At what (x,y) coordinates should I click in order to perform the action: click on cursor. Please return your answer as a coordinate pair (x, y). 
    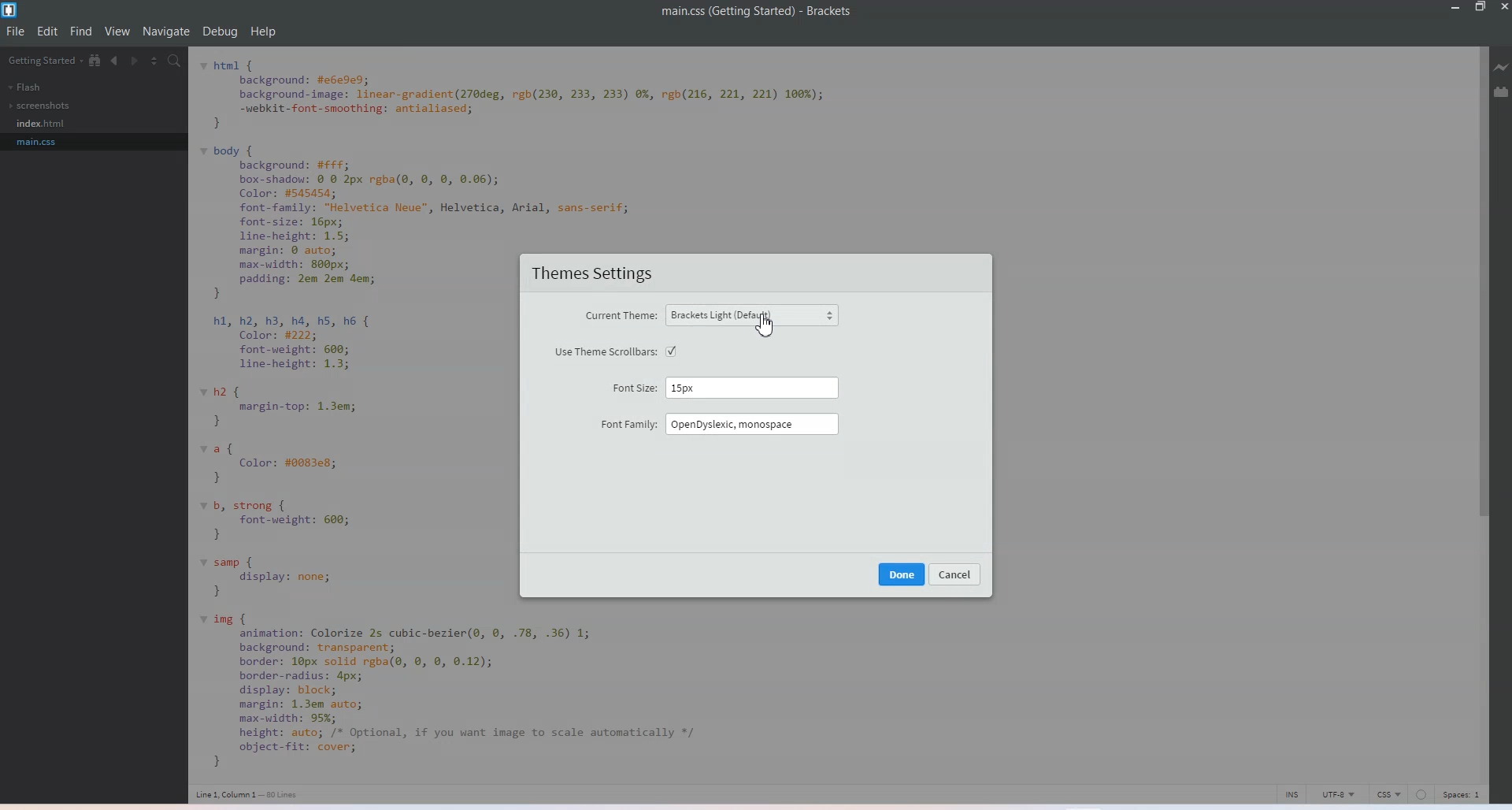
    Looking at the image, I should click on (767, 328).